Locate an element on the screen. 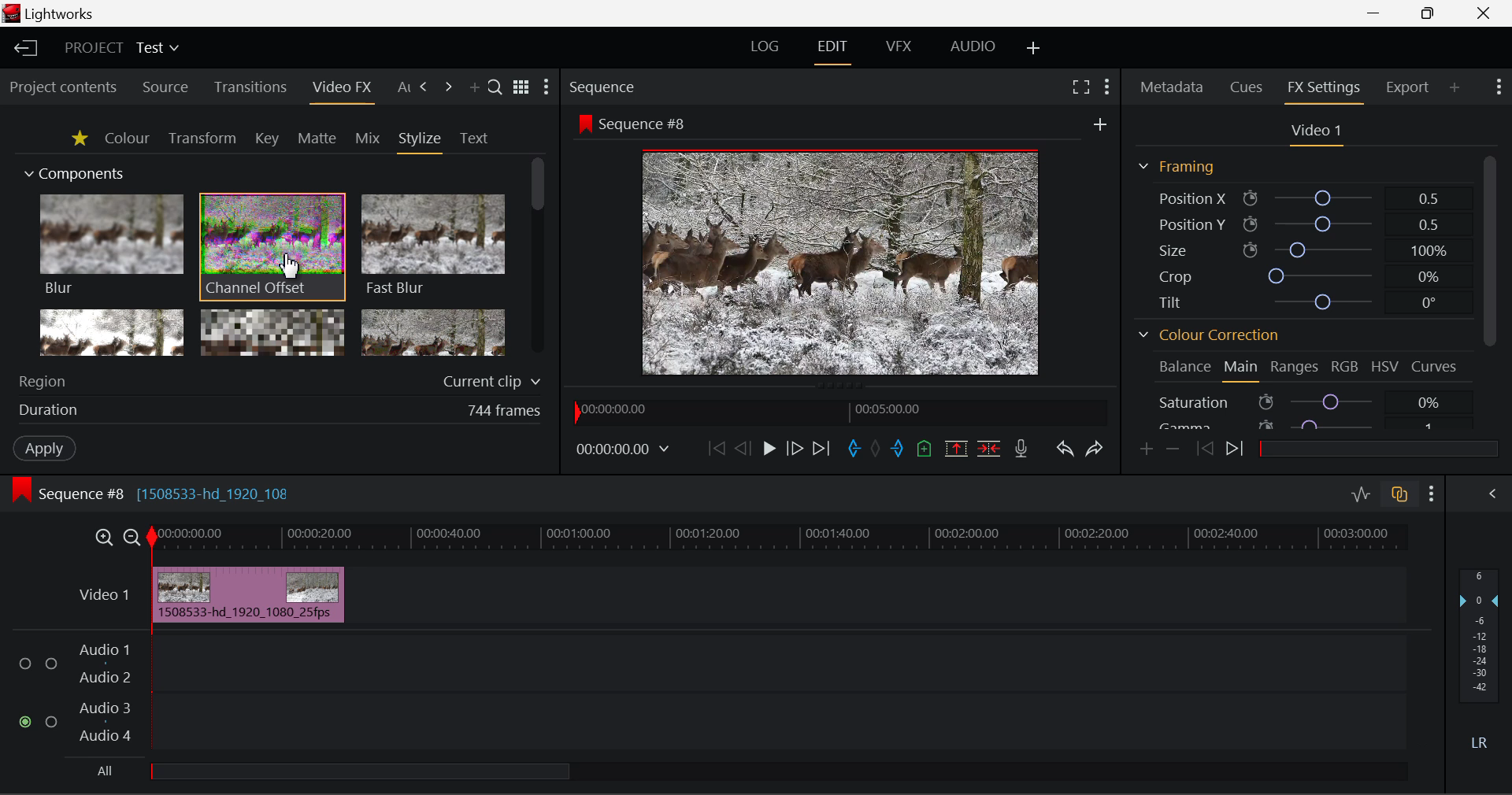  Window Title is located at coordinates (60, 14).